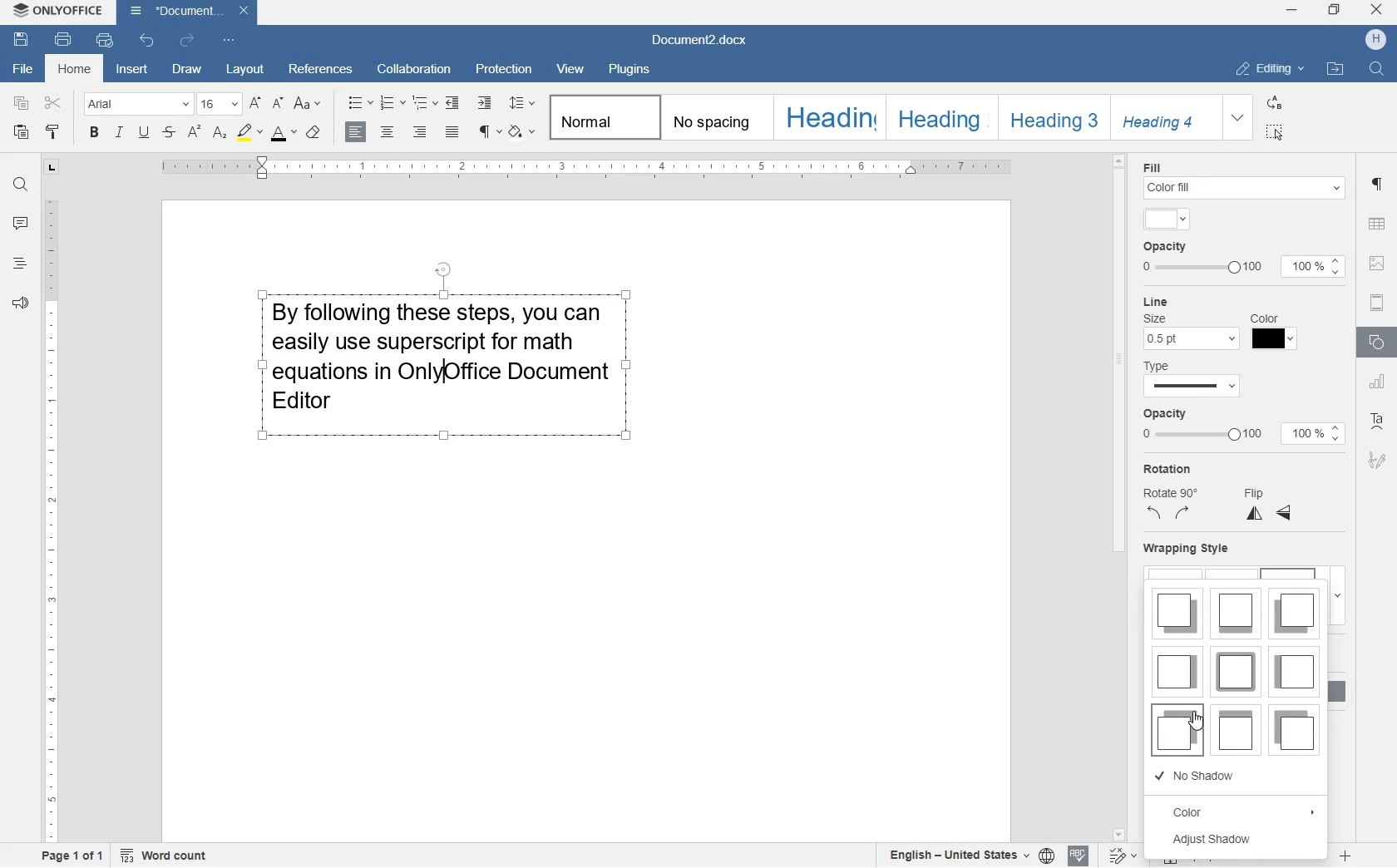 The width and height of the screenshot is (1397, 868). Describe the element at coordinates (1270, 68) in the screenshot. I see `EDITING` at that location.